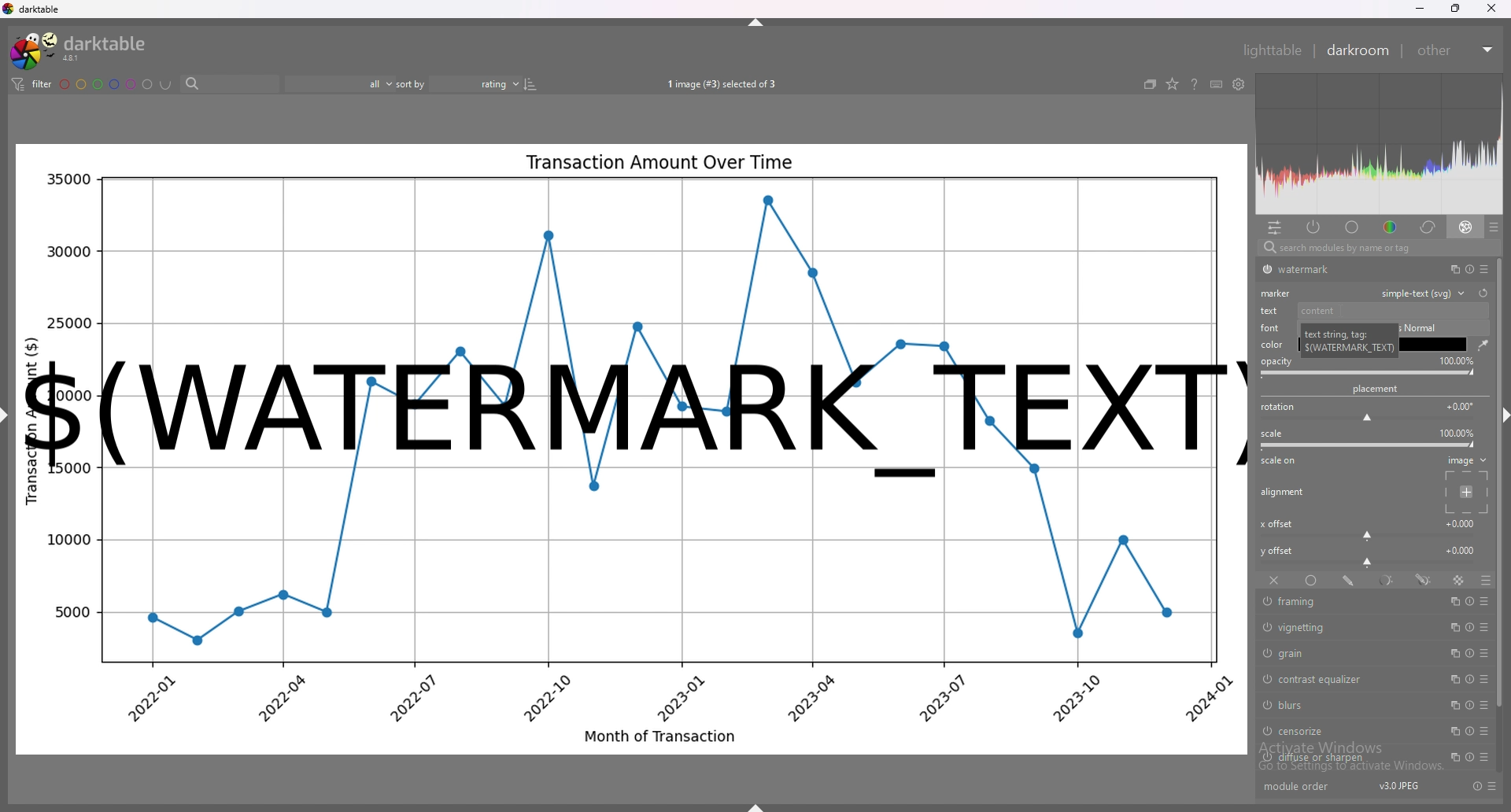 The image size is (1511, 812). I want to click on darktable, so click(34, 9).